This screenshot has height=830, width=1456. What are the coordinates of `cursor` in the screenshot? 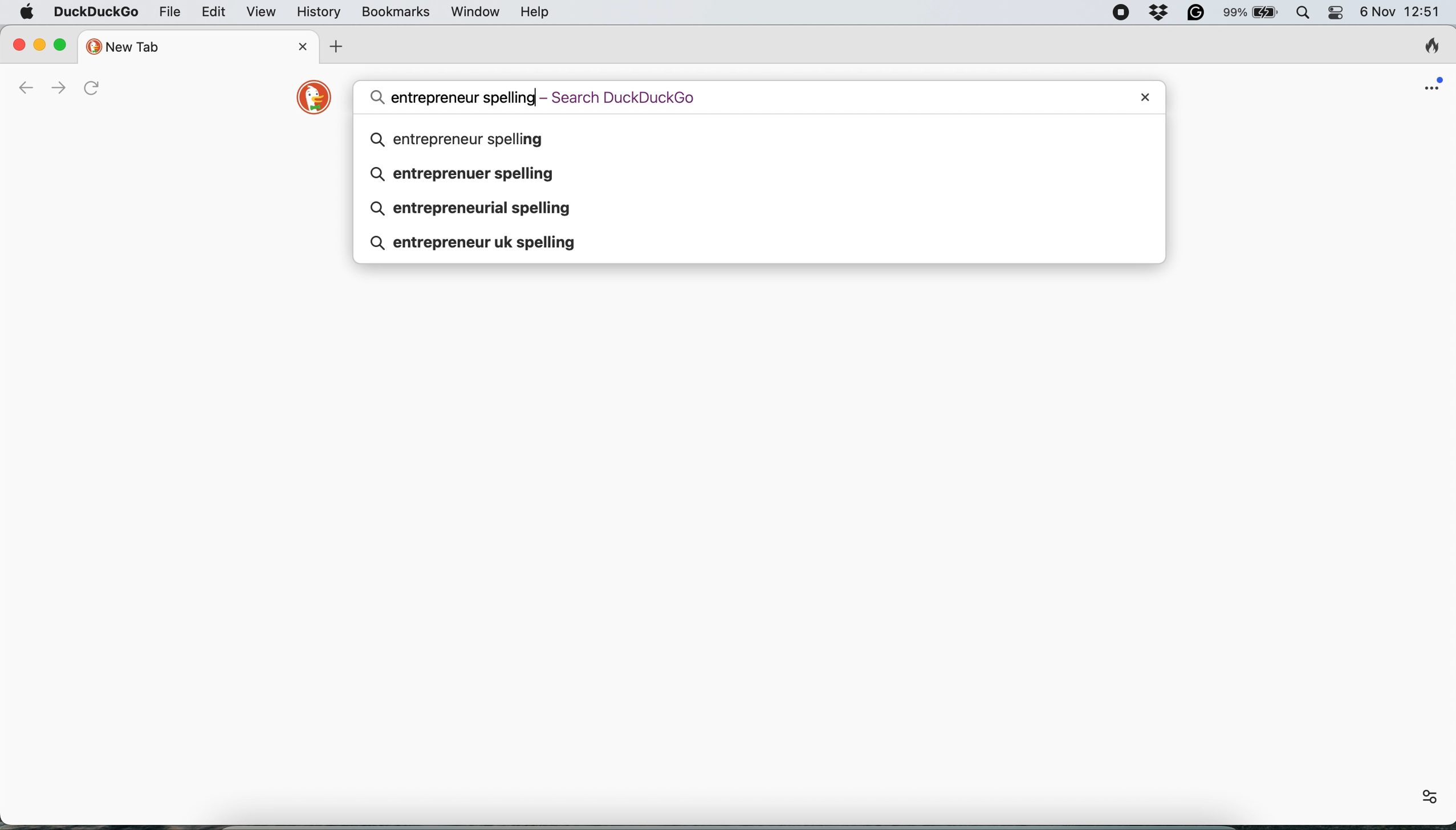 It's located at (537, 97).